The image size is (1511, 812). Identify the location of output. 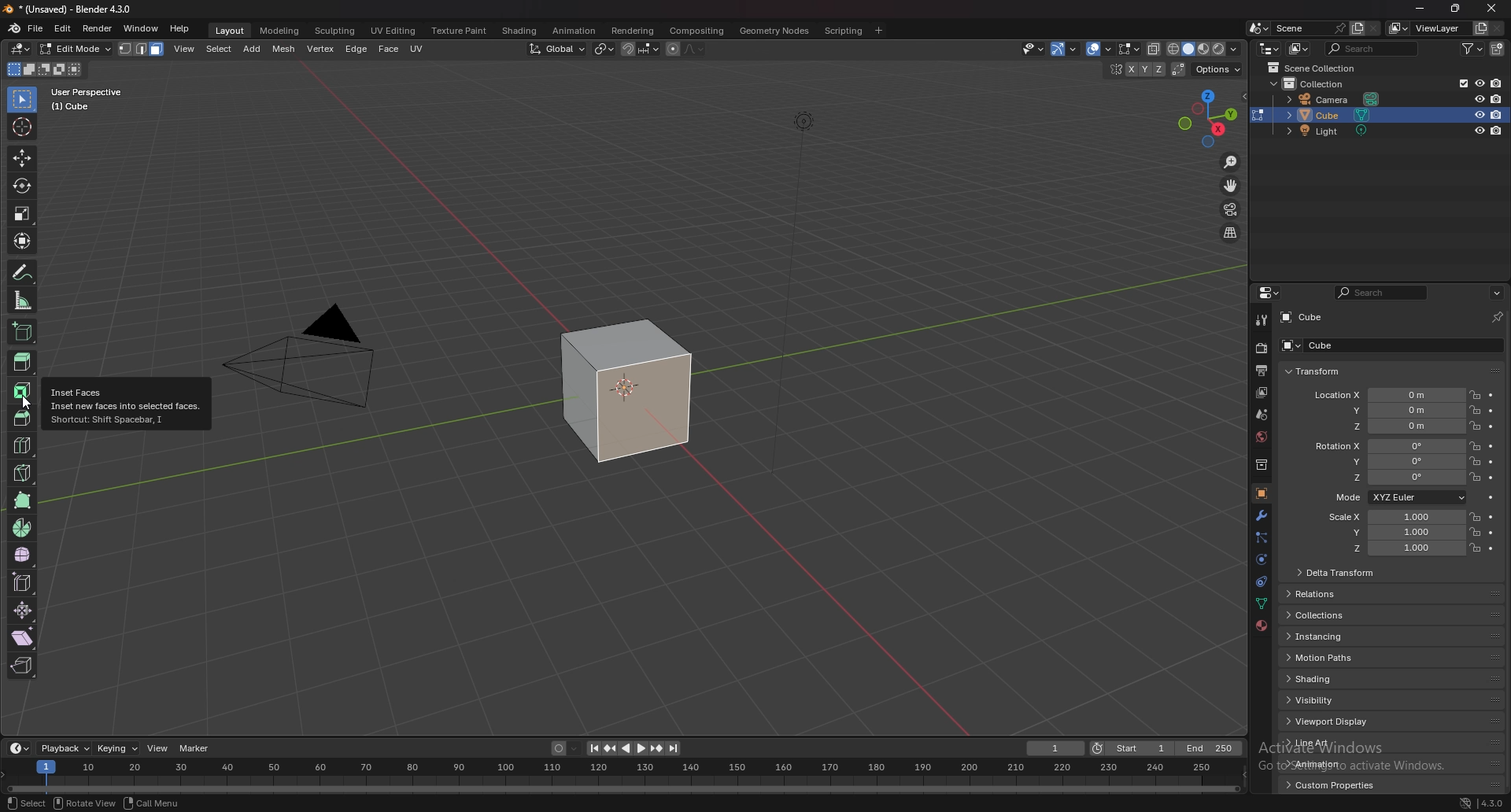
(1264, 370).